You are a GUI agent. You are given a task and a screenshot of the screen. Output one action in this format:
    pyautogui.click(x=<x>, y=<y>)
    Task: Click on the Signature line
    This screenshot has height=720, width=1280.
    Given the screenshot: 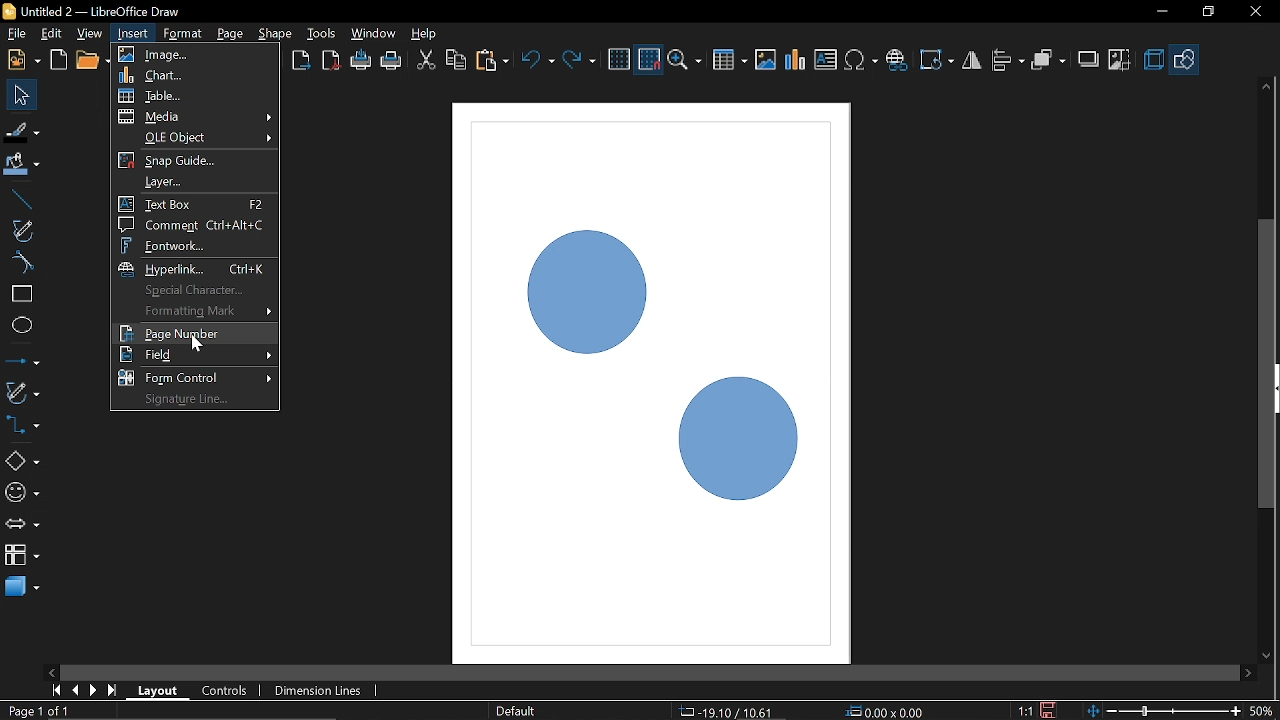 What is the action you would take?
    pyautogui.click(x=196, y=399)
    